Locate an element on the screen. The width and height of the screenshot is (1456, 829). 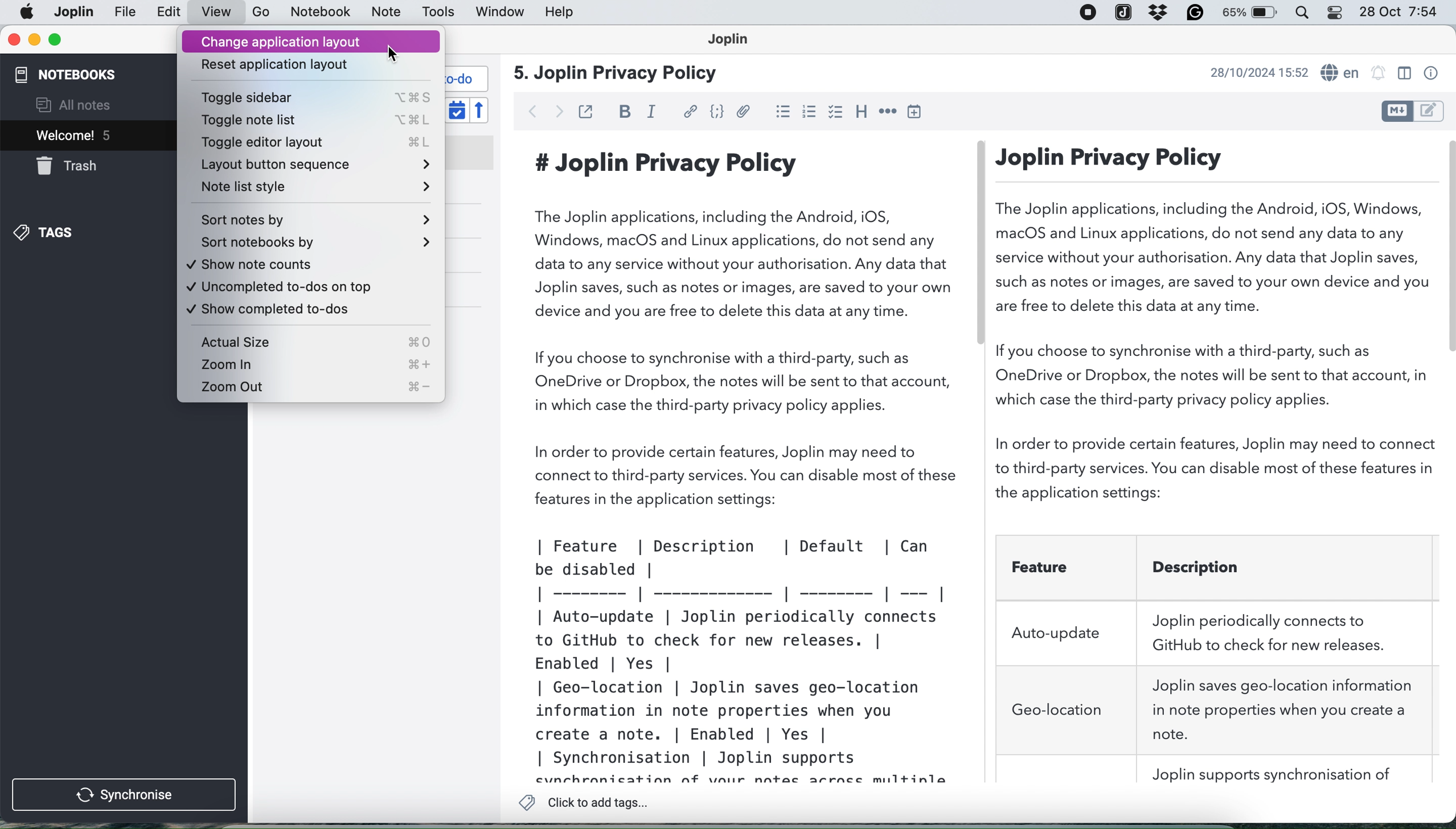
Sort notes by is located at coordinates (313, 219).